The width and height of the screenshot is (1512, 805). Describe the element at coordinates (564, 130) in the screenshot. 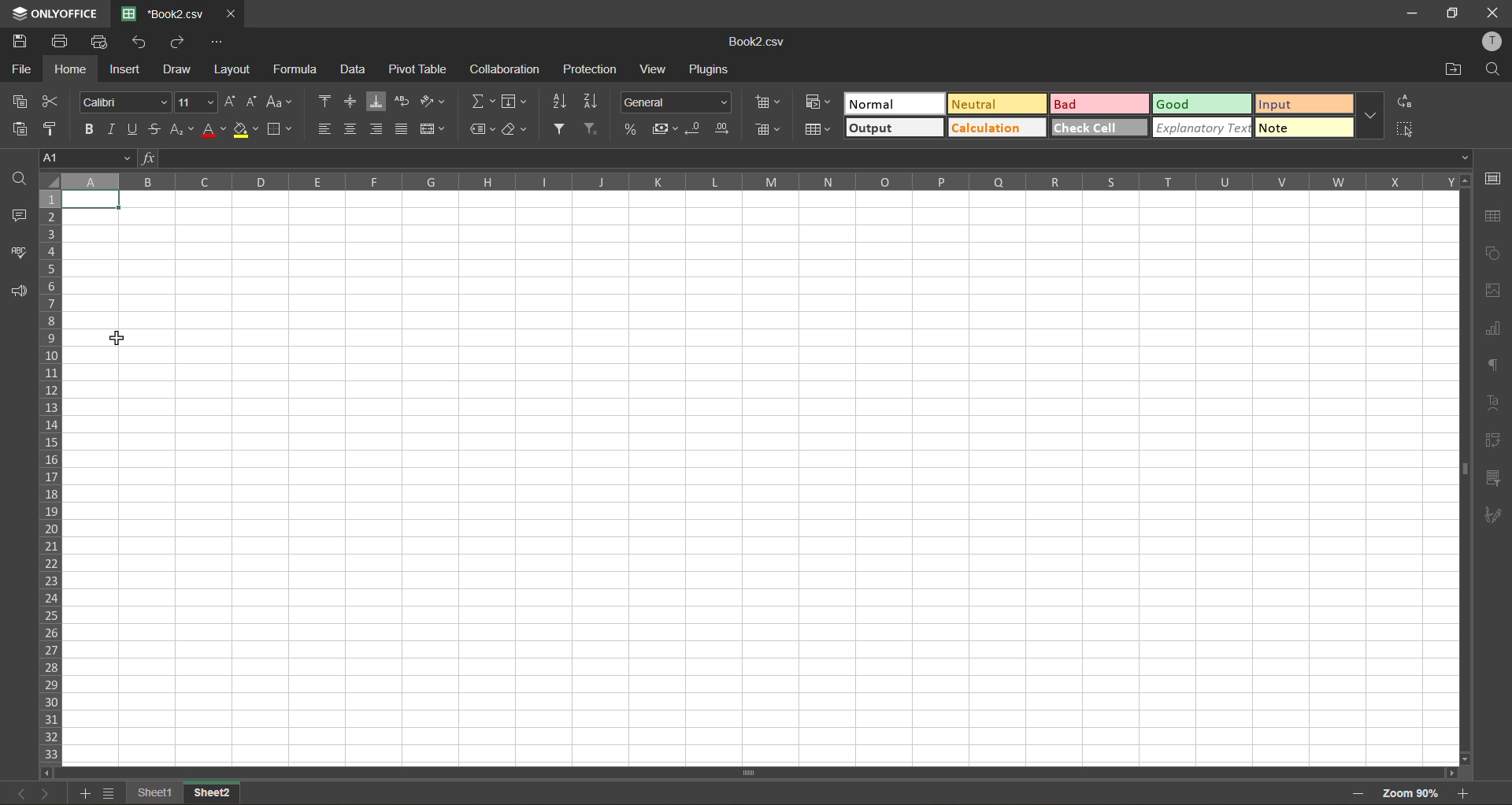

I see `filter` at that location.